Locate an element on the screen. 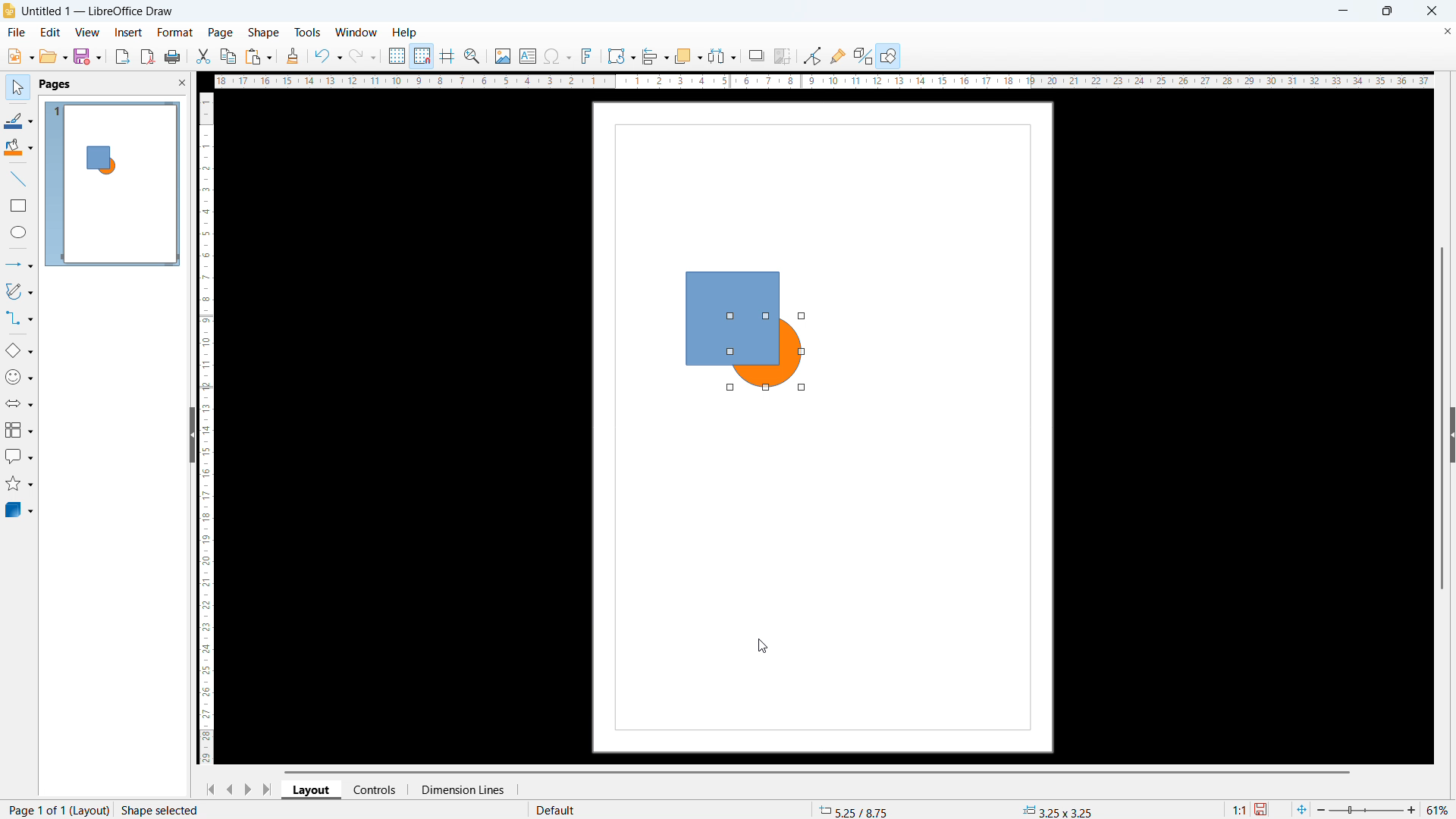  Call out shapes  is located at coordinates (19, 458).